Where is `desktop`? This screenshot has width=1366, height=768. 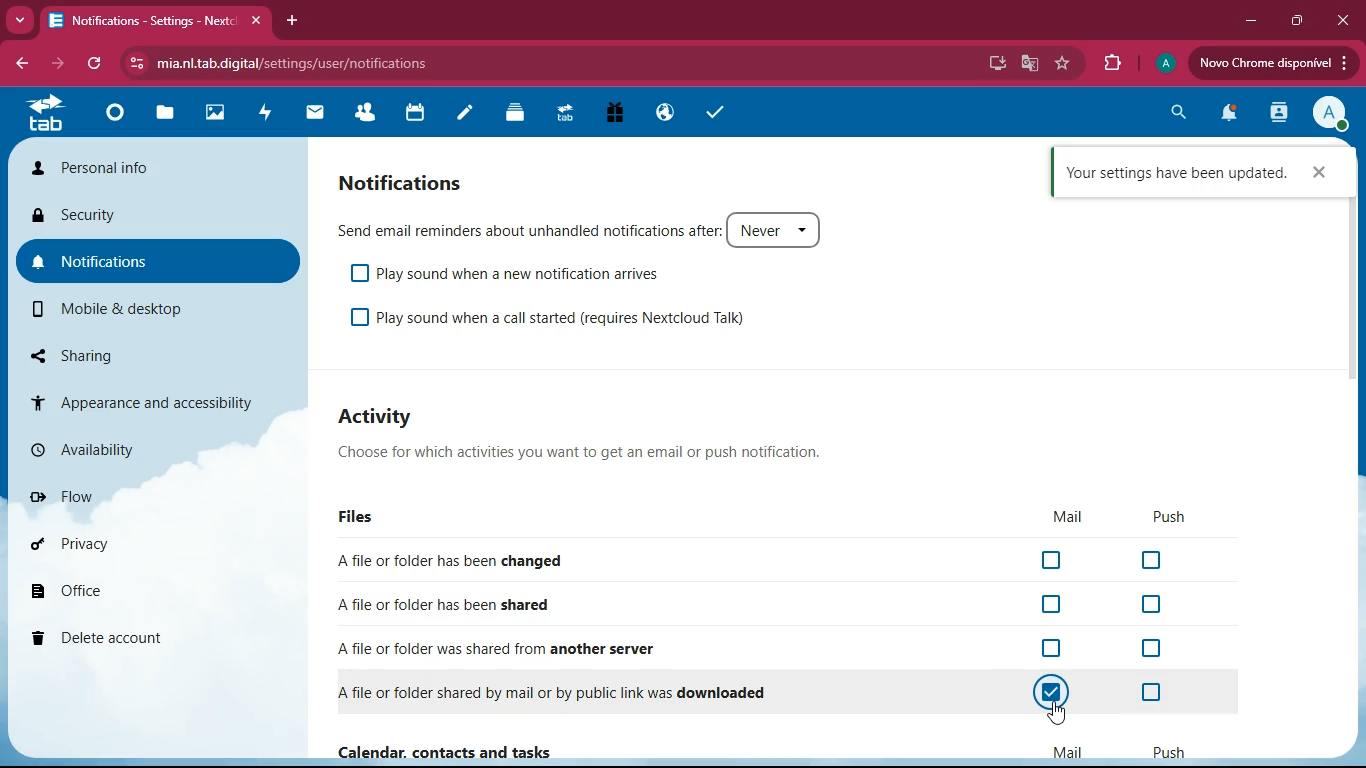 desktop is located at coordinates (995, 62).